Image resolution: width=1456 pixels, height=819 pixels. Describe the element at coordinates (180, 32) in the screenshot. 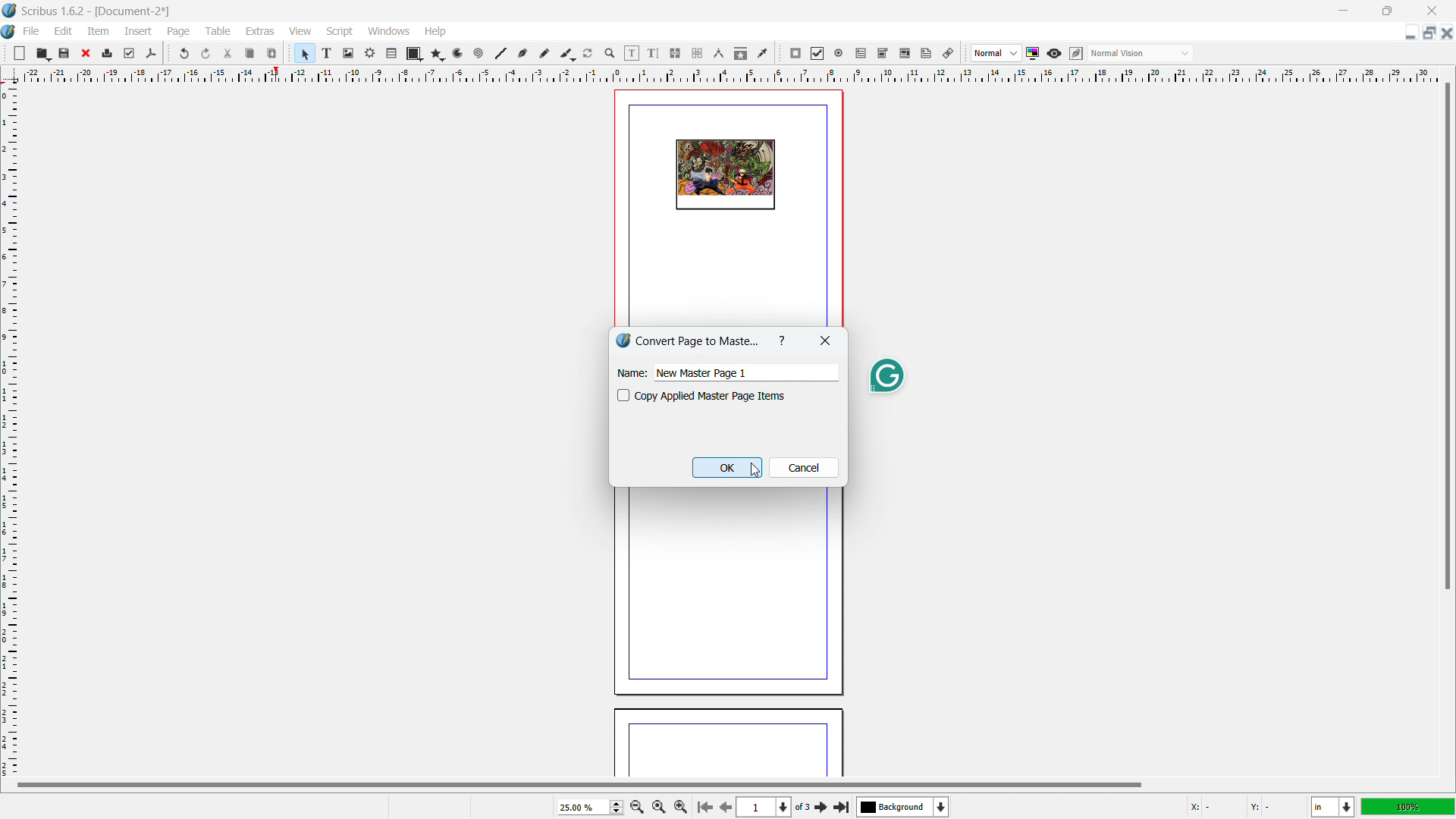

I see `page` at that location.